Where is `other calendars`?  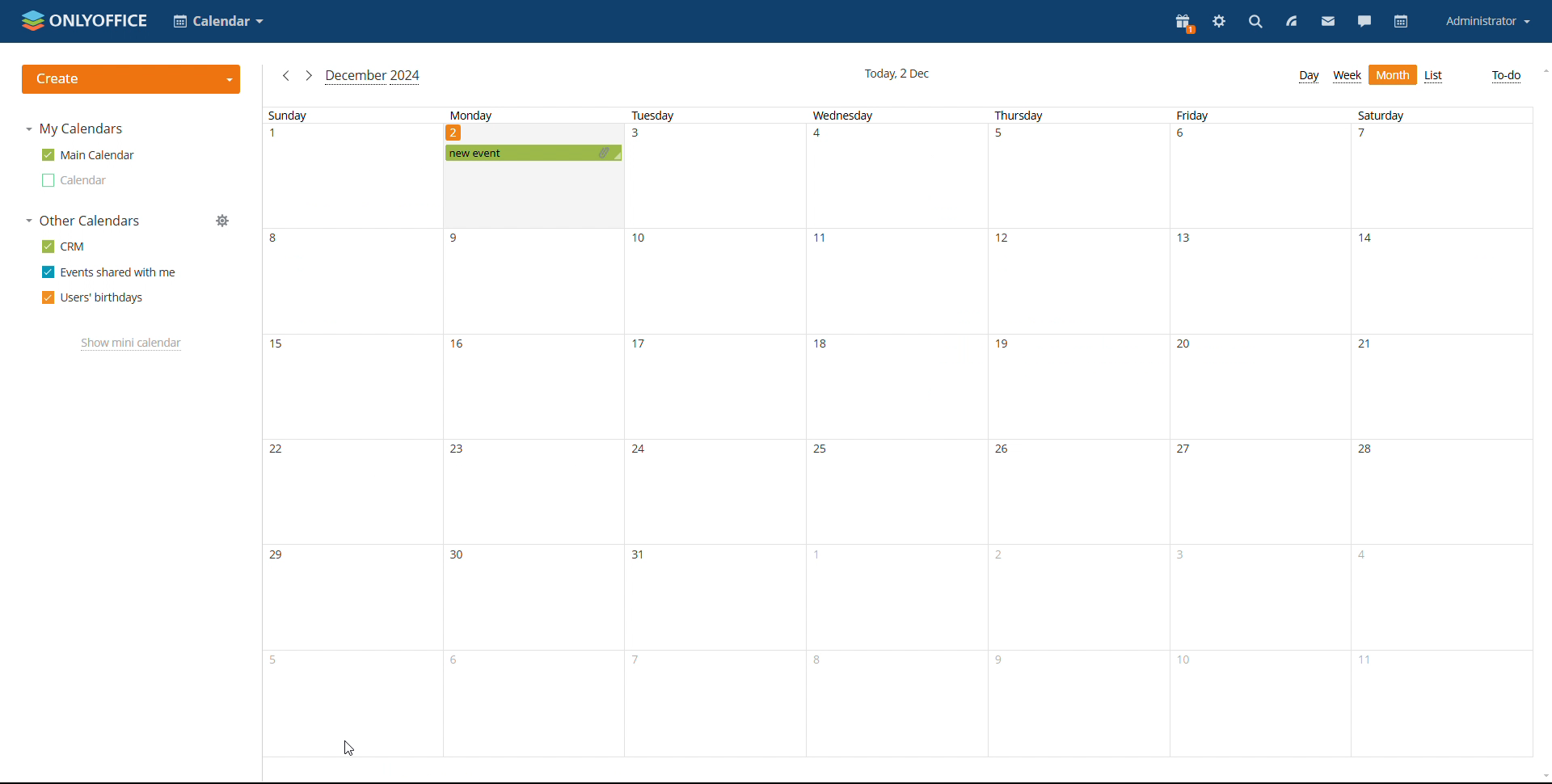 other calendars is located at coordinates (82, 221).